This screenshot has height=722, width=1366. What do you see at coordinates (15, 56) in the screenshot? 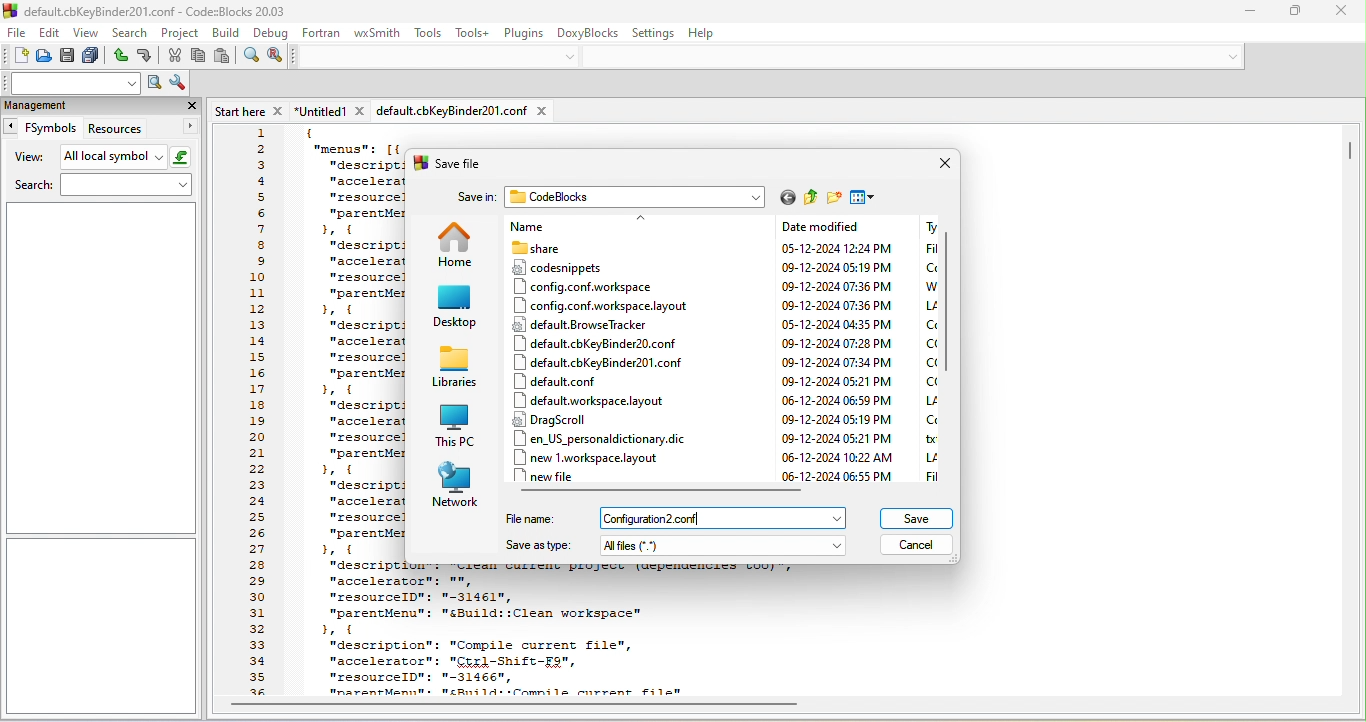
I see `new` at bounding box center [15, 56].